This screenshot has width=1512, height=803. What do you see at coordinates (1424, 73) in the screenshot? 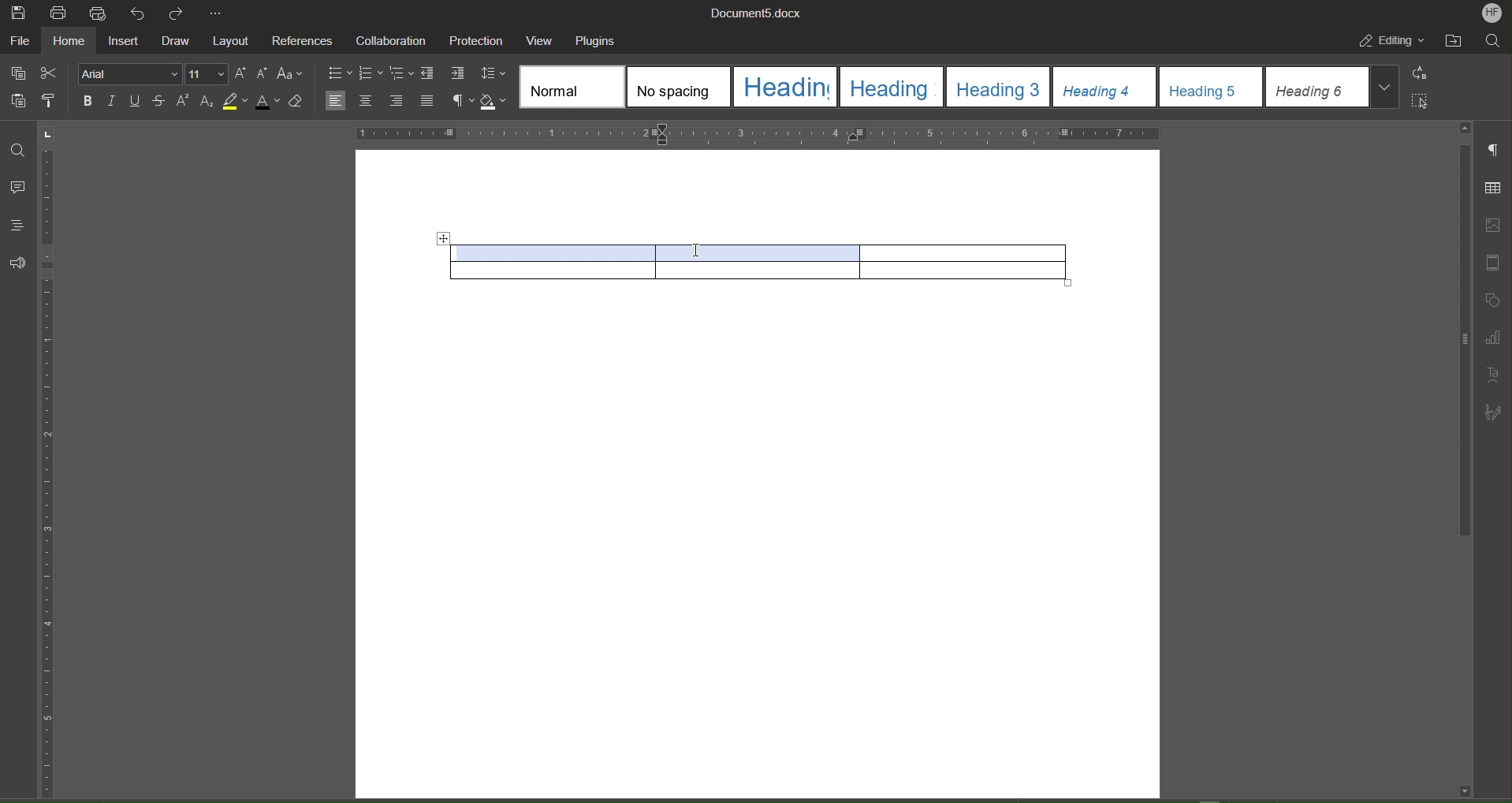
I see `Replace` at bounding box center [1424, 73].